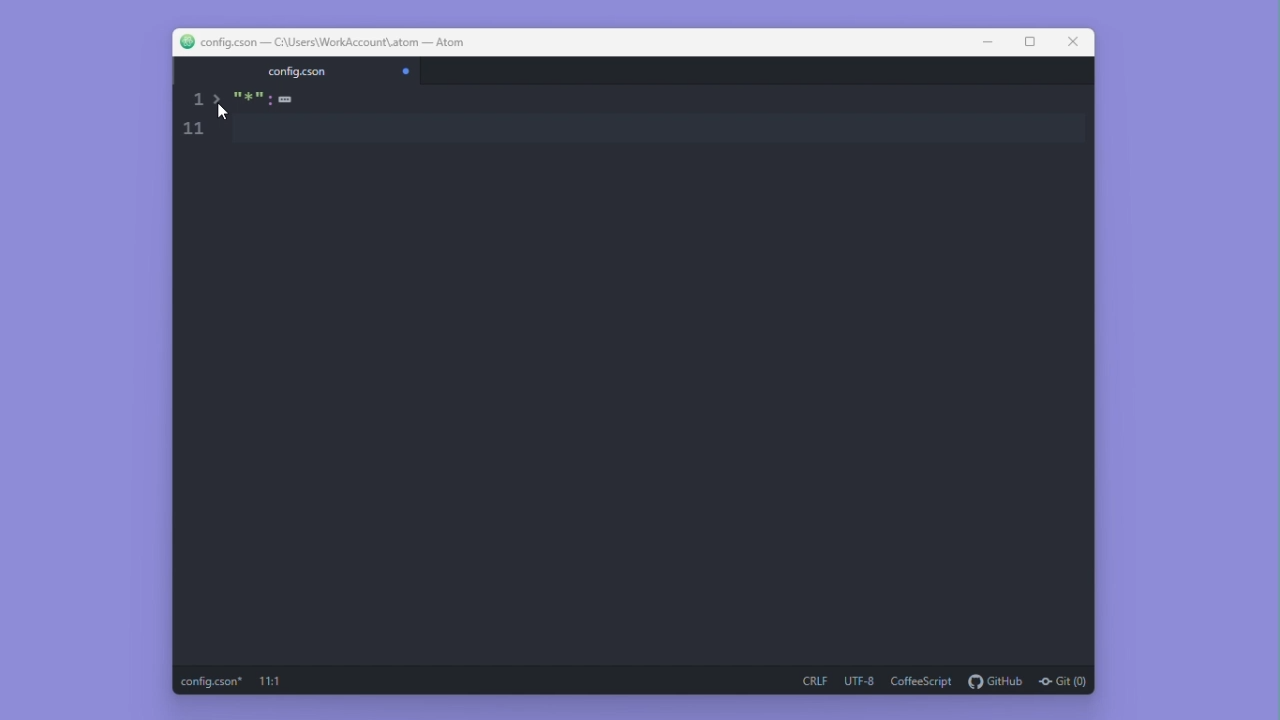  Describe the element at coordinates (273, 110) in the screenshot. I see `"*" : ...` at that location.